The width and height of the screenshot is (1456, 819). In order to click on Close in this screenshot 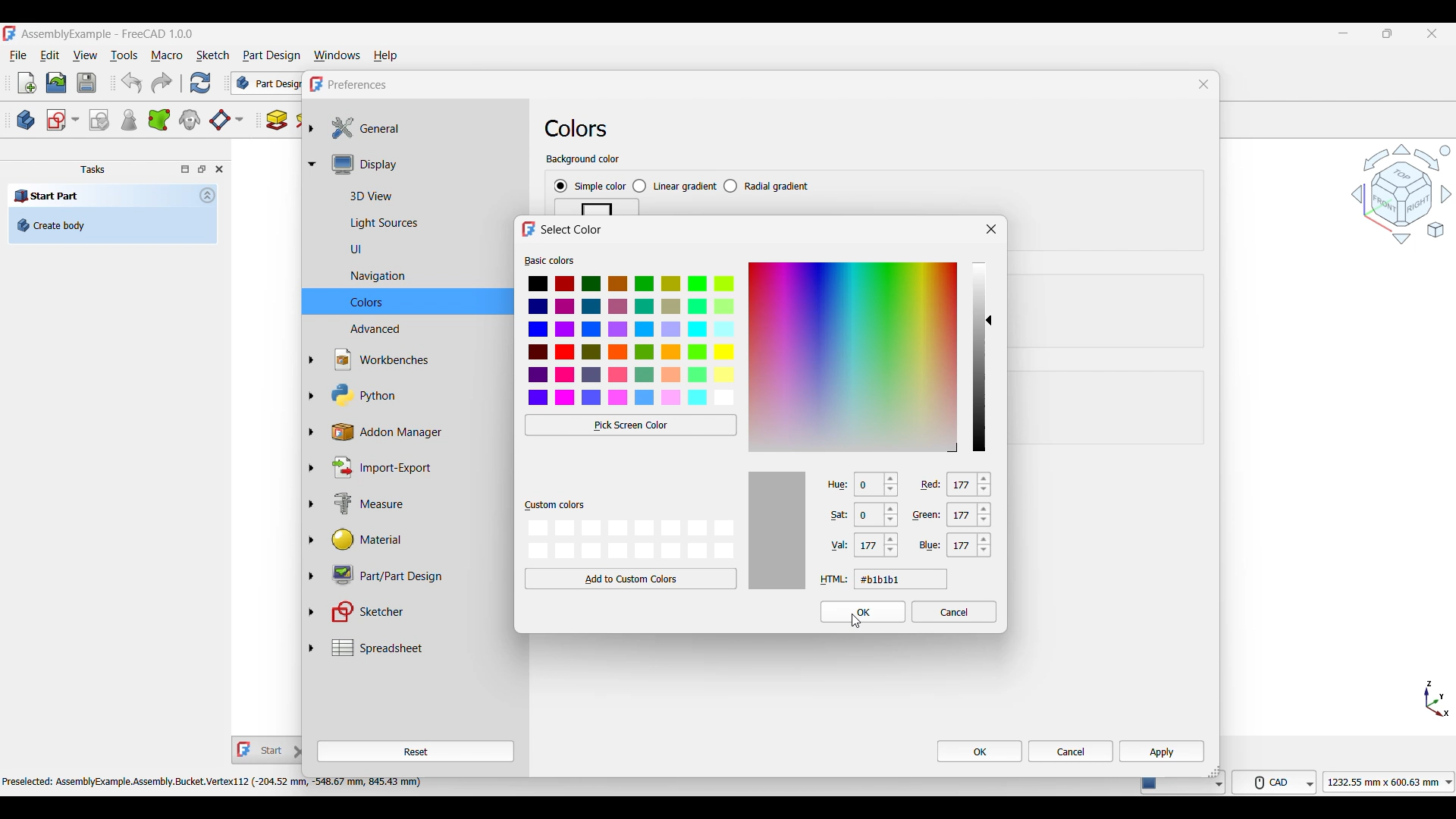, I will do `click(1203, 84)`.